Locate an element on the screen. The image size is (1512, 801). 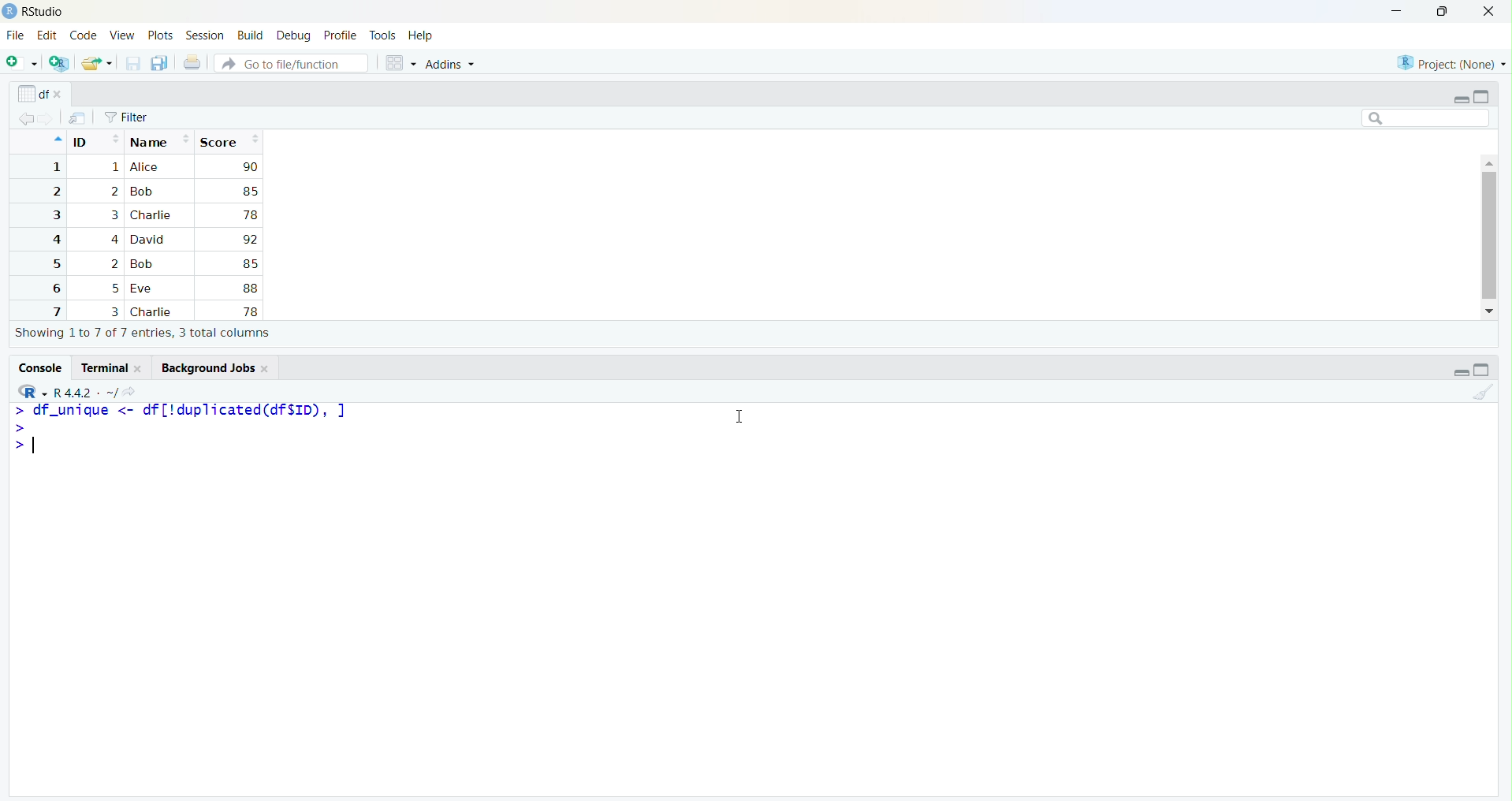
85 is located at coordinates (249, 263).